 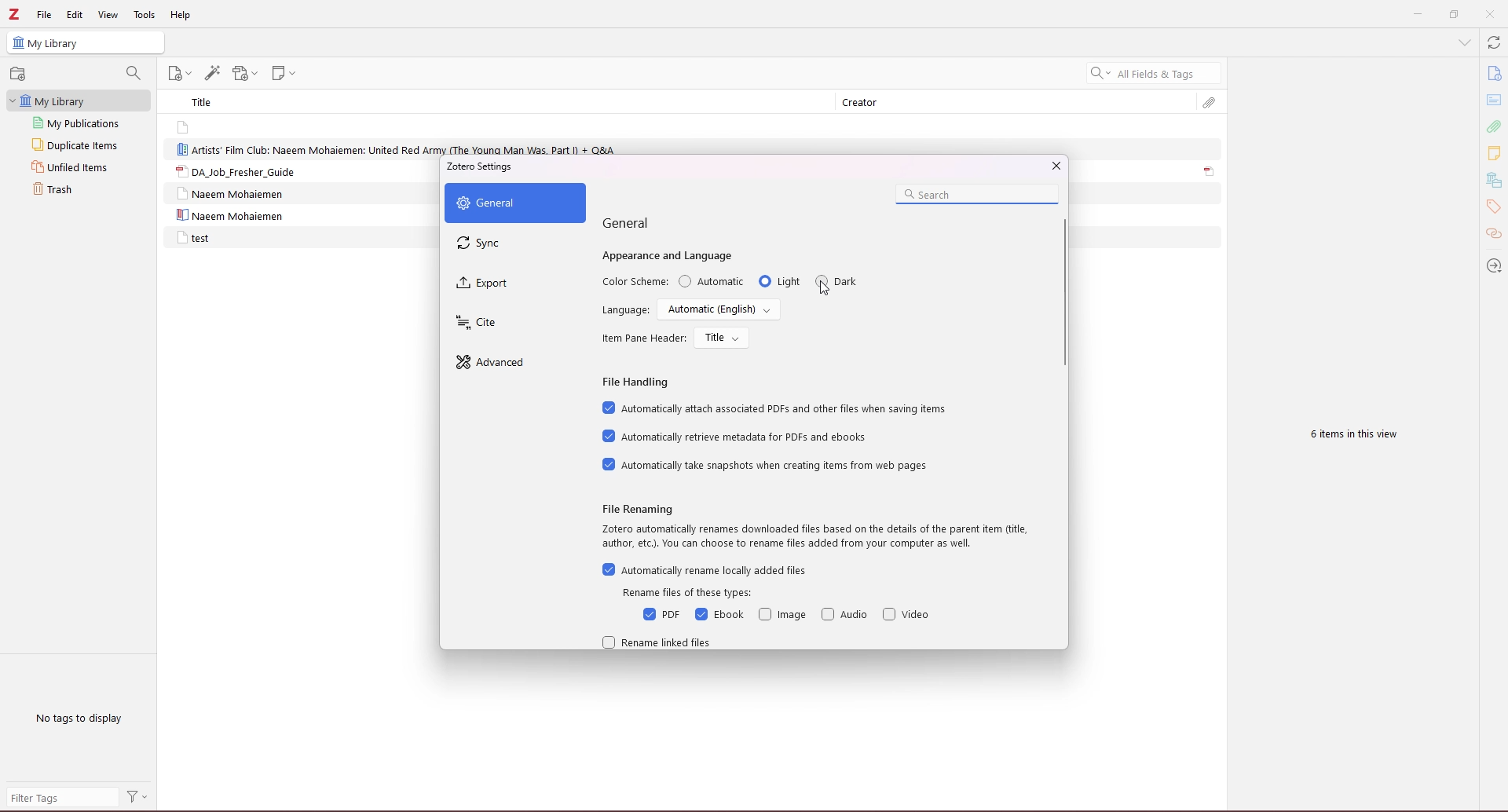 What do you see at coordinates (15, 15) in the screenshot?
I see `zotero` at bounding box center [15, 15].